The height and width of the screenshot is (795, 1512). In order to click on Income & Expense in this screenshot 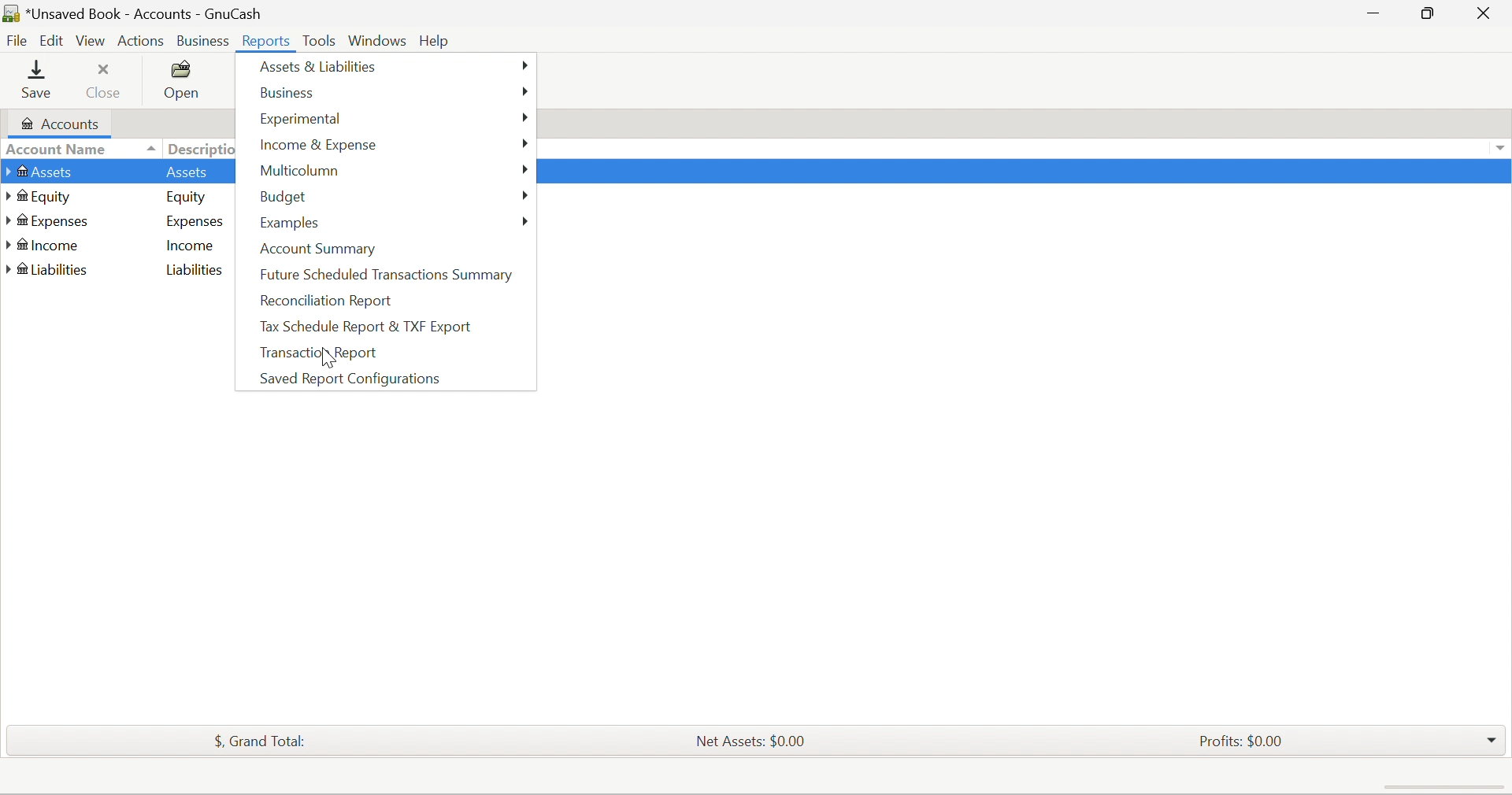, I will do `click(320, 144)`.